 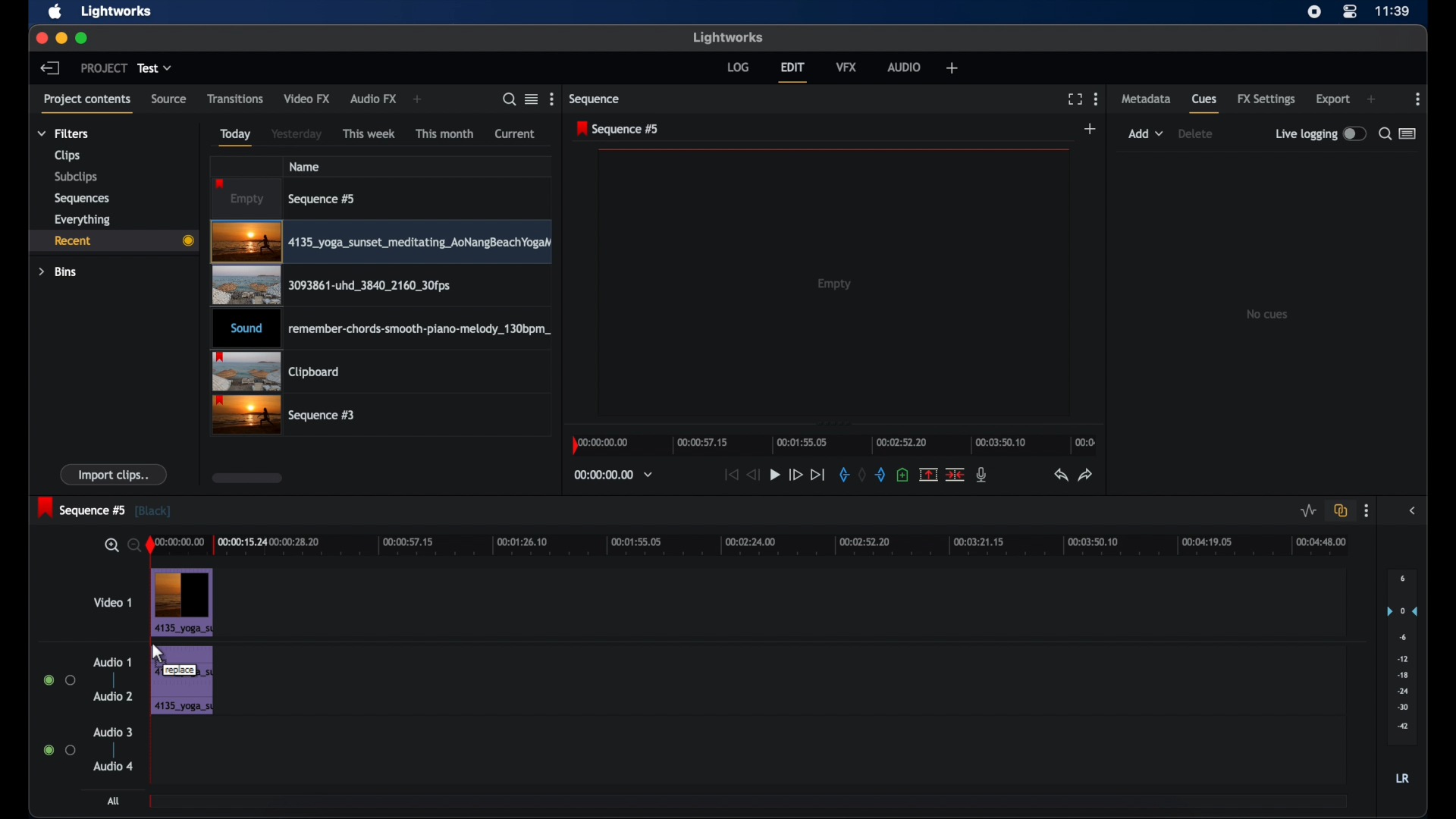 I want to click on add, so click(x=417, y=99).